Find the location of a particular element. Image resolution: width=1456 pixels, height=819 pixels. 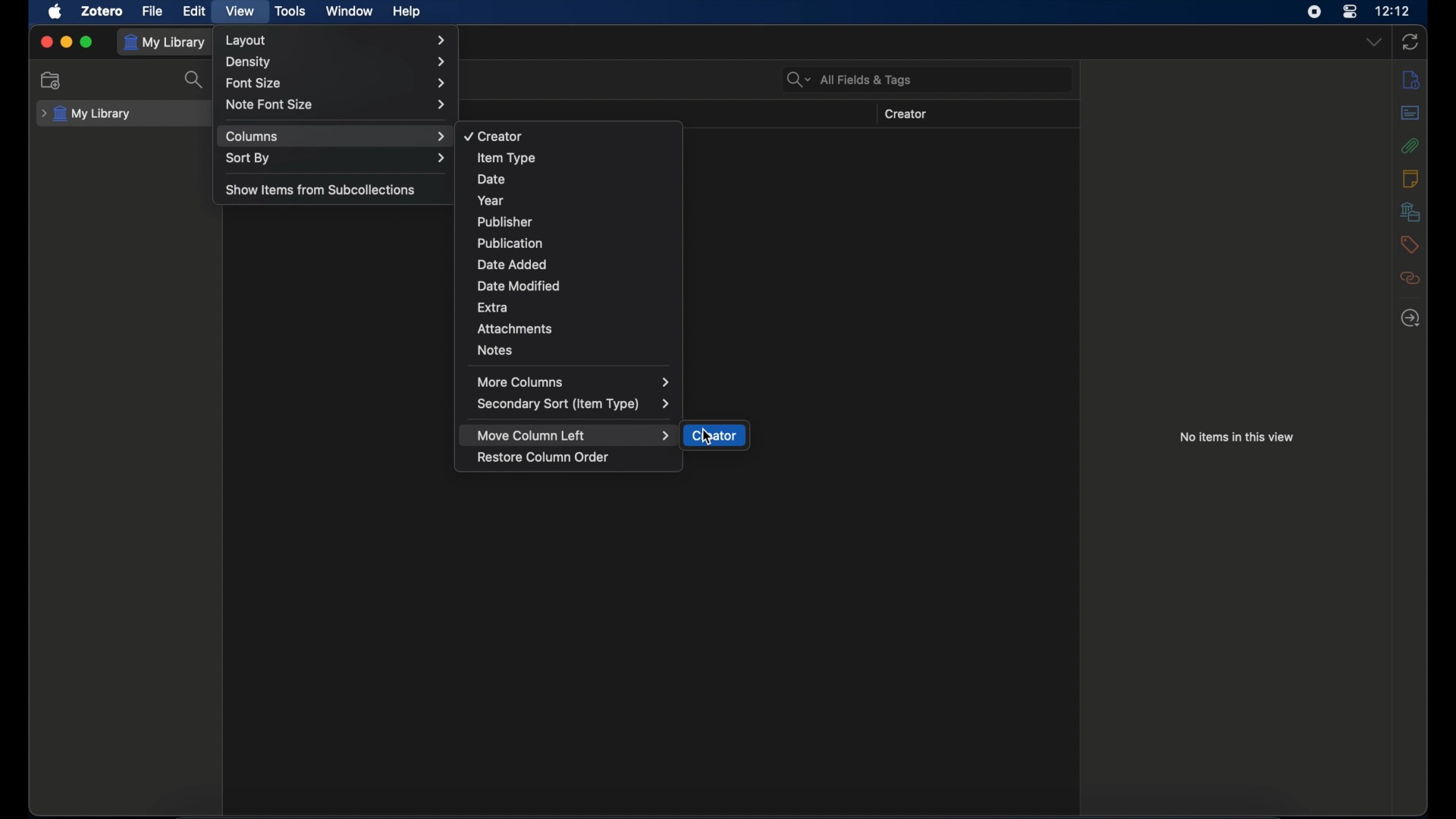

notes is located at coordinates (494, 350).